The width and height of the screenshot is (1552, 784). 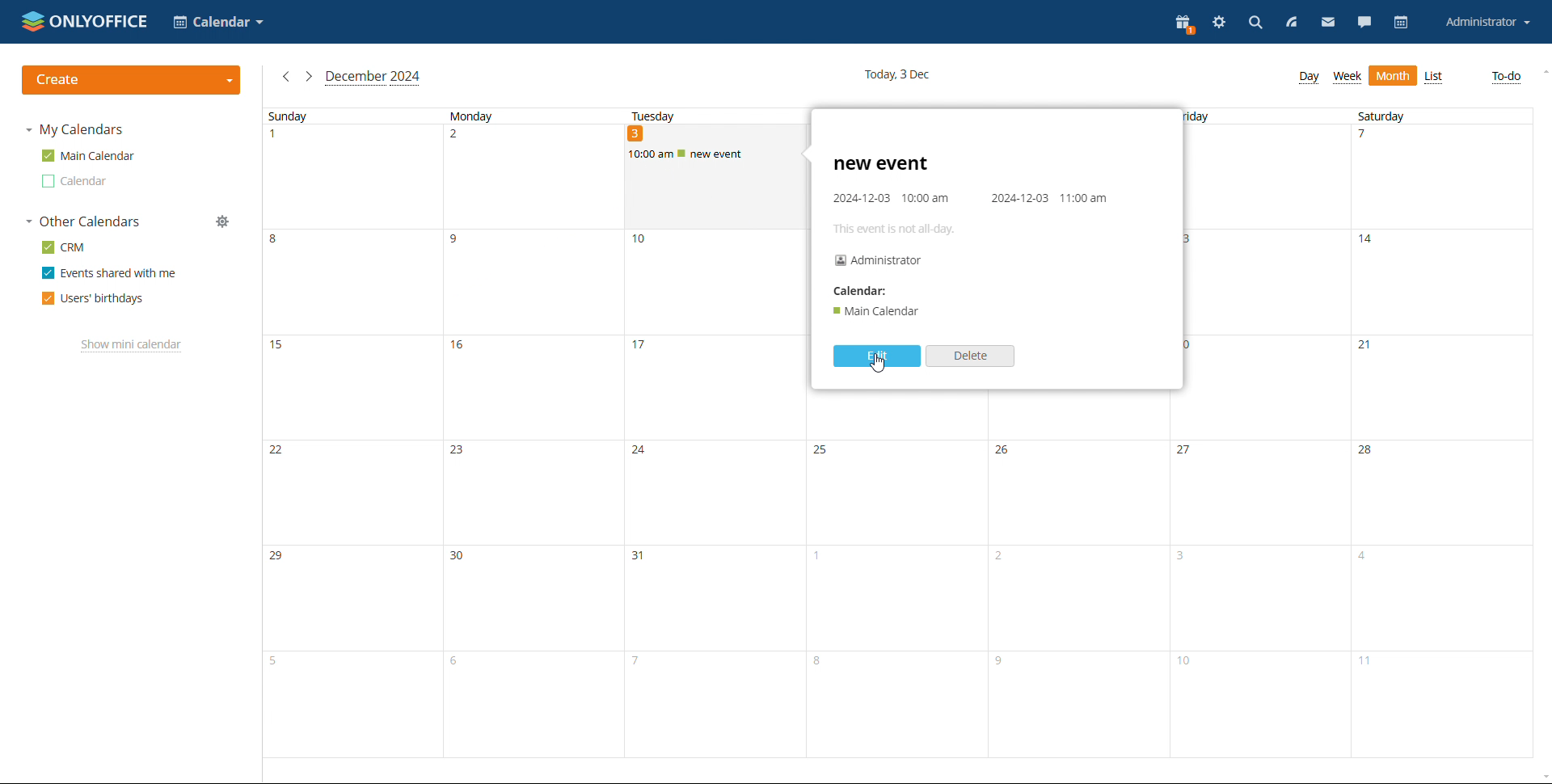 What do you see at coordinates (713, 388) in the screenshot?
I see `17` at bounding box center [713, 388].